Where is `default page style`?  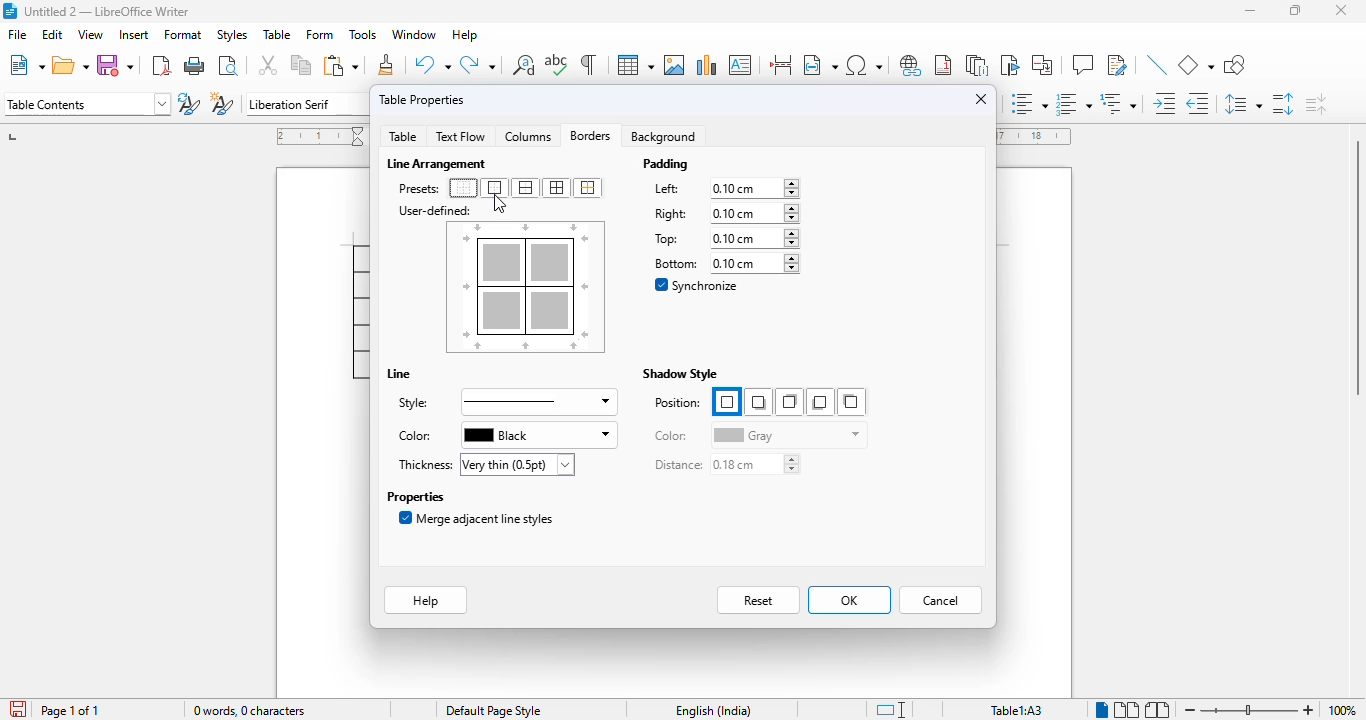
default page style is located at coordinates (494, 711).